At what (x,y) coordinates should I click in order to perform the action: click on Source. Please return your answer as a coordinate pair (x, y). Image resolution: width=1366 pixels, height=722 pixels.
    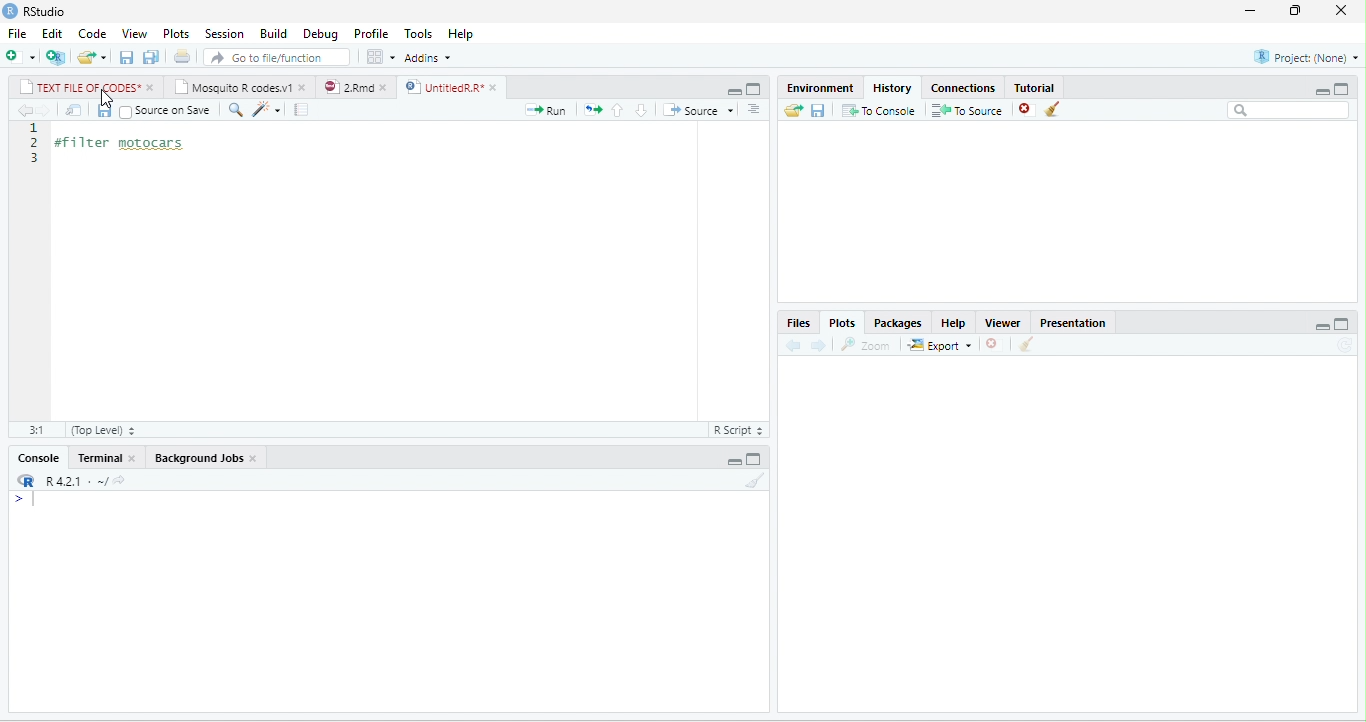
    Looking at the image, I should click on (699, 109).